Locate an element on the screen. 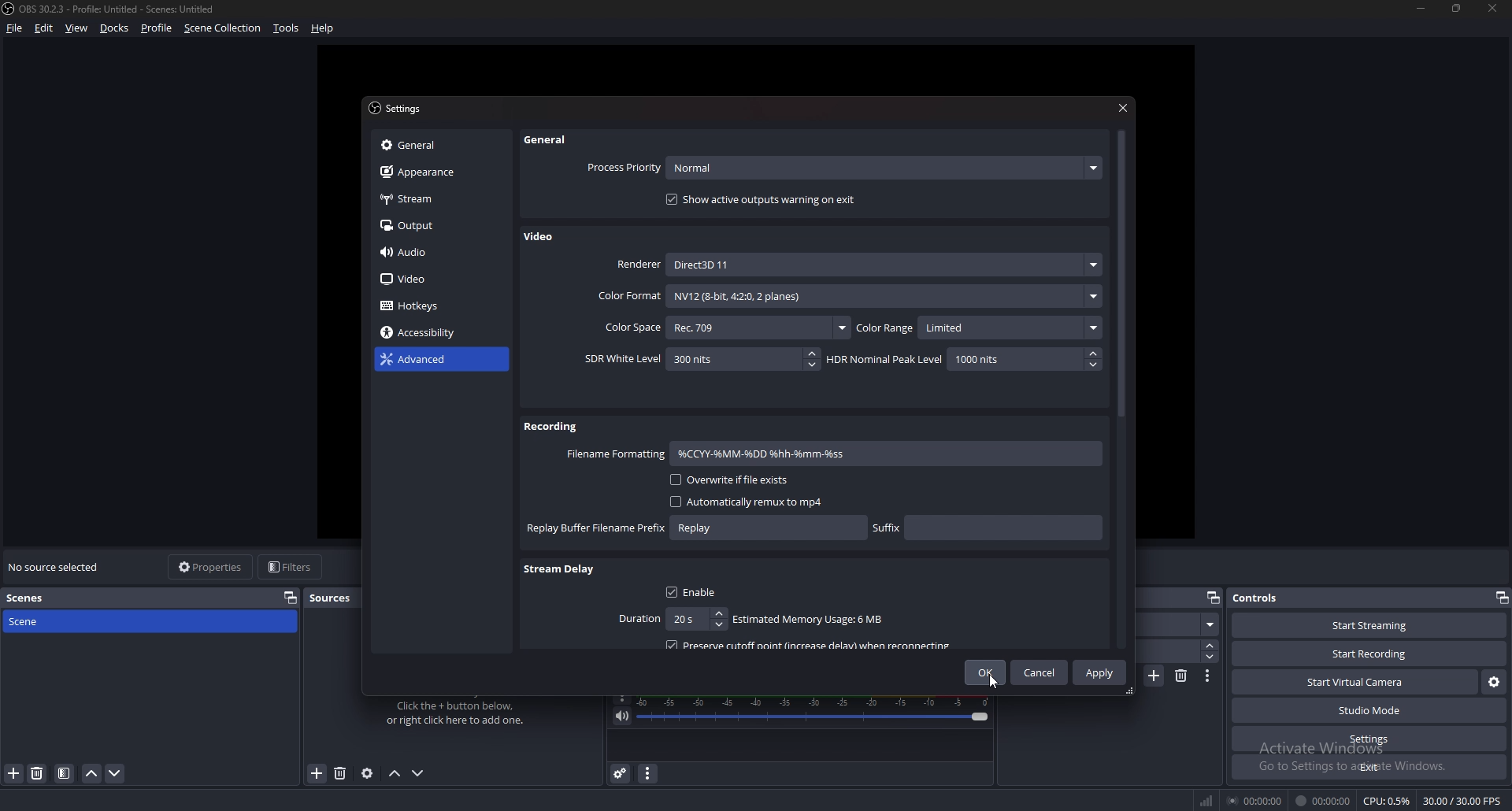 Image resolution: width=1512 pixels, height=811 pixels. pop out is located at coordinates (1502, 597).